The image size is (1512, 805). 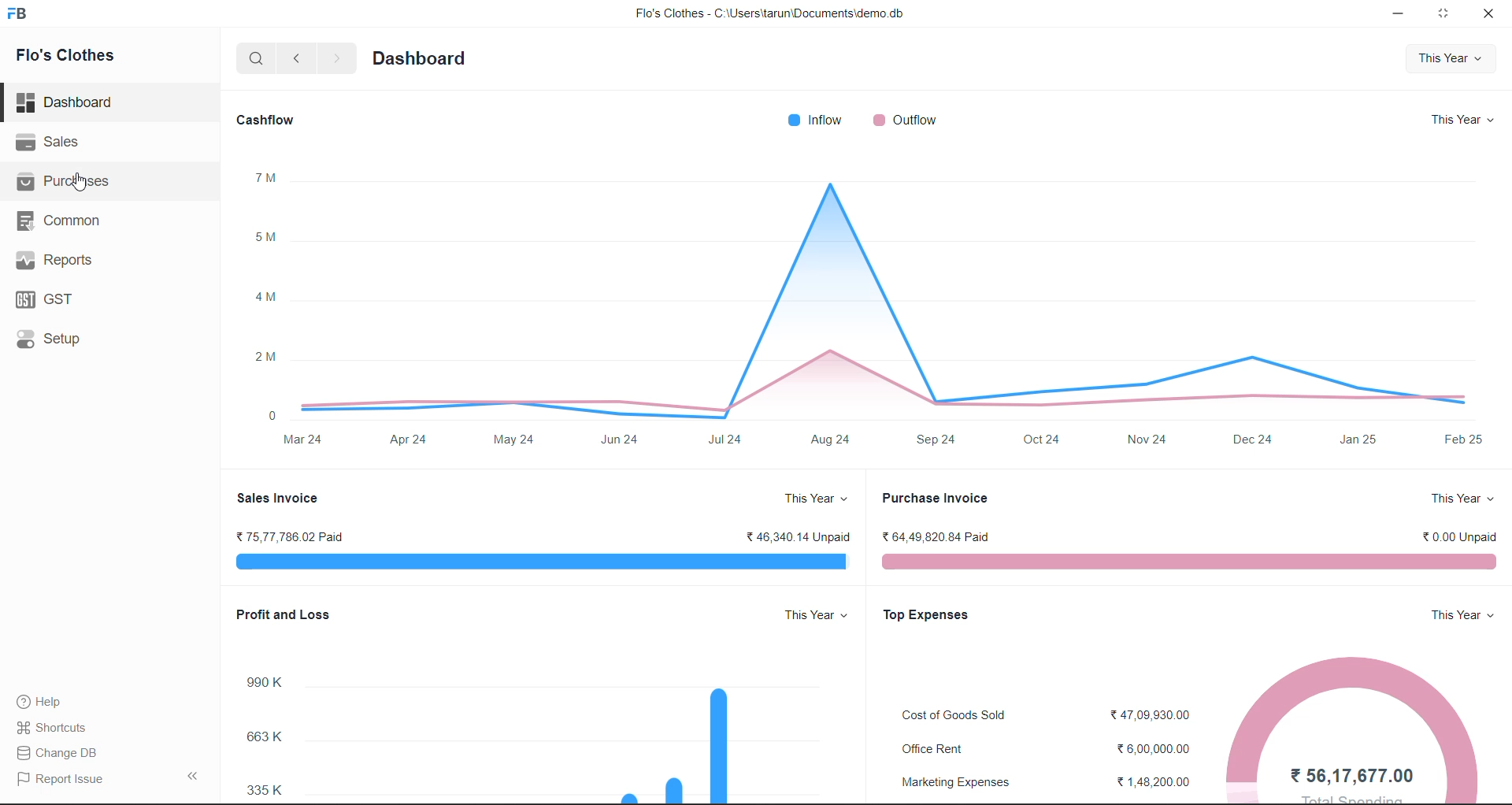 What do you see at coordinates (59, 259) in the screenshot?
I see `, Reports` at bounding box center [59, 259].